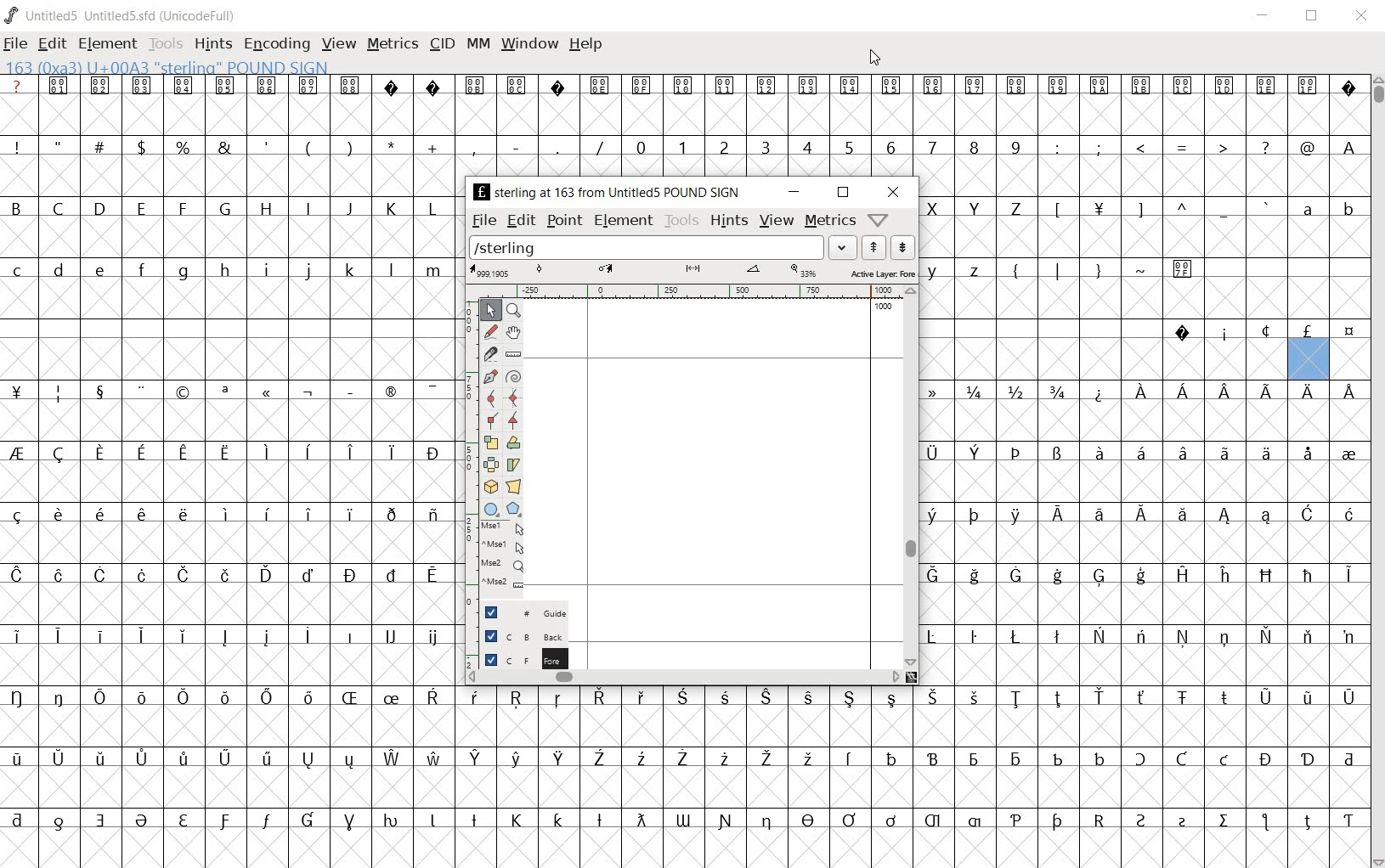 The width and height of the screenshot is (1385, 868). I want to click on Symbol, so click(225, 699).